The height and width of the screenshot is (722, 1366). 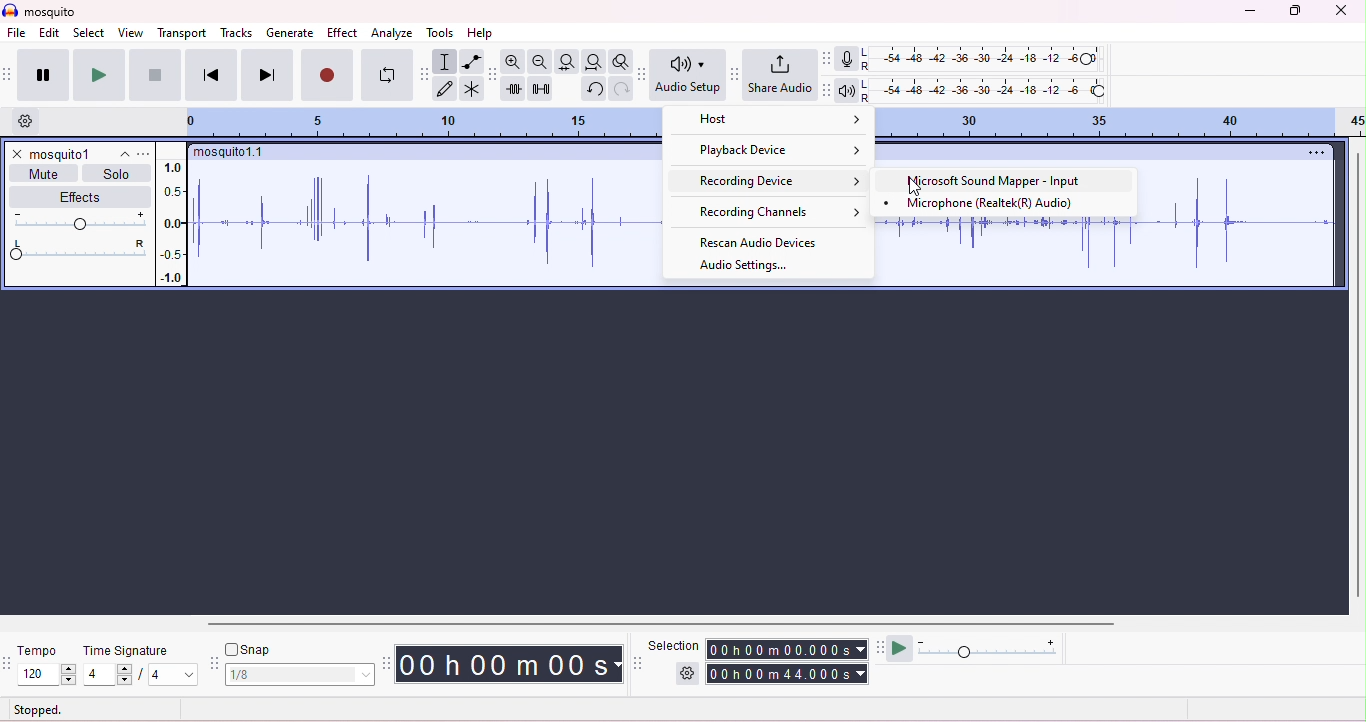 I want to click on audio settings, so click(x=743, y=266).